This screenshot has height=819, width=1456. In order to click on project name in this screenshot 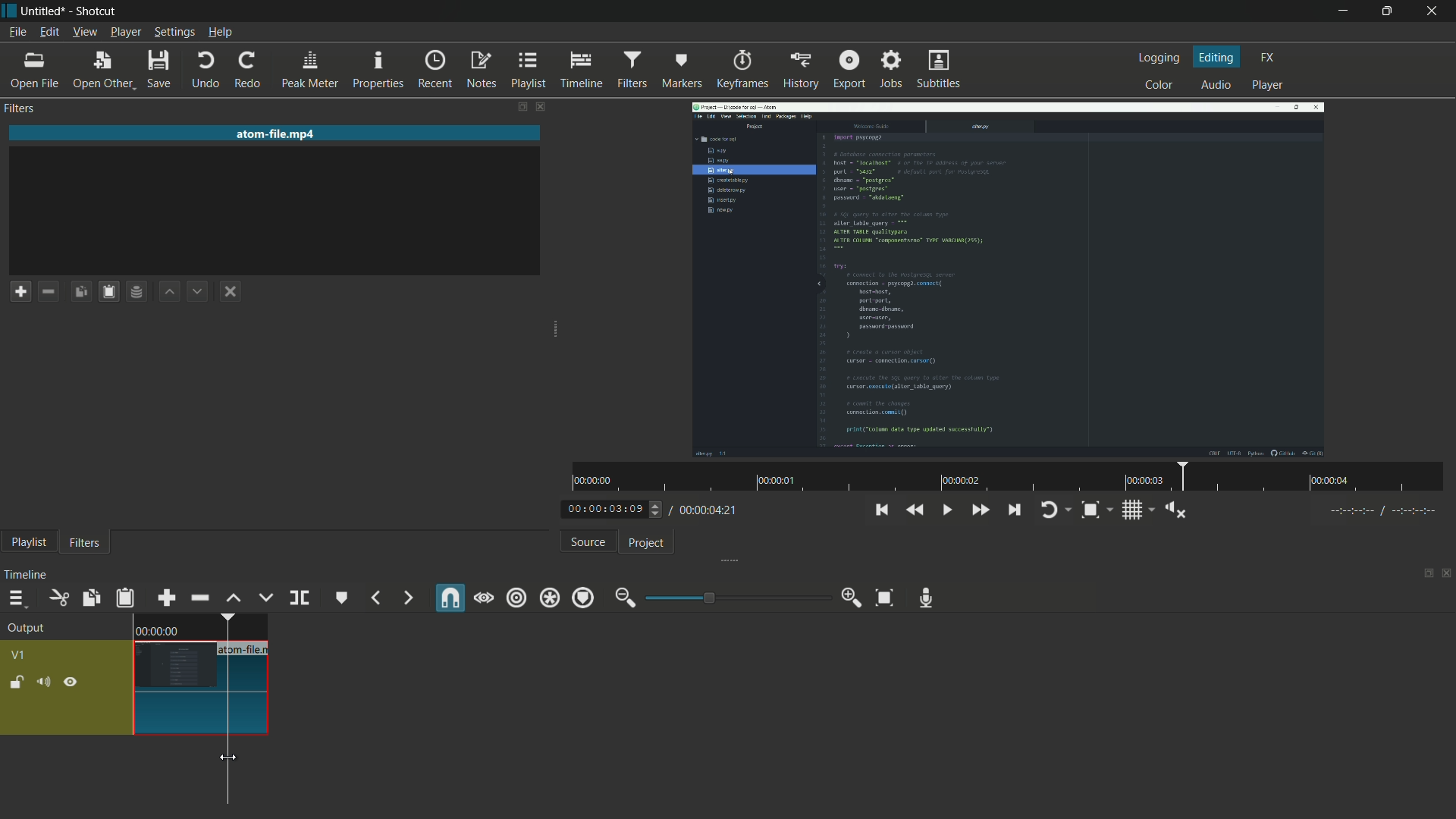, I will do `click(42, 11)`.